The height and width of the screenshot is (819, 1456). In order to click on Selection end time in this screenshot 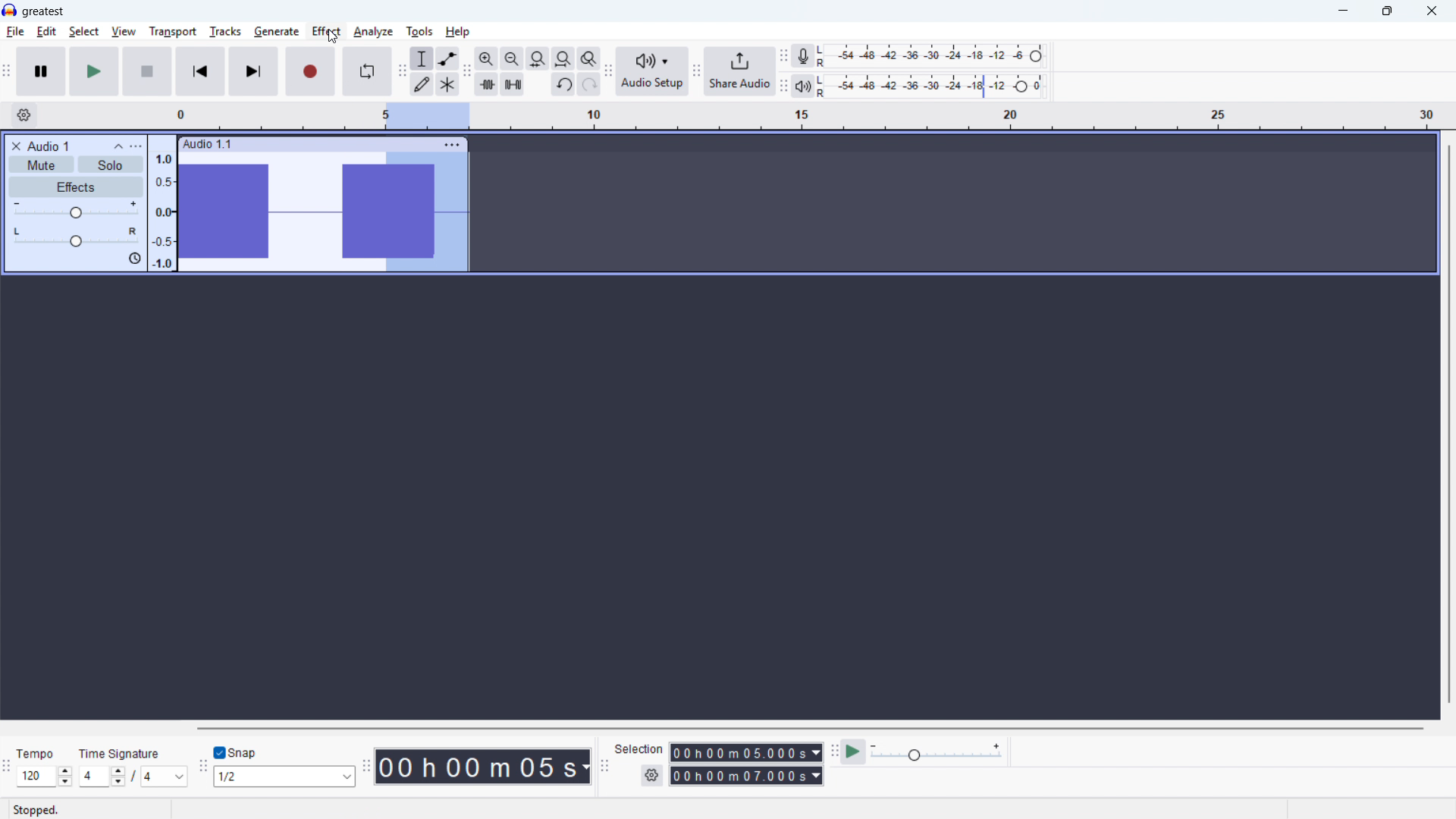, I will do `click(747, 775)`.